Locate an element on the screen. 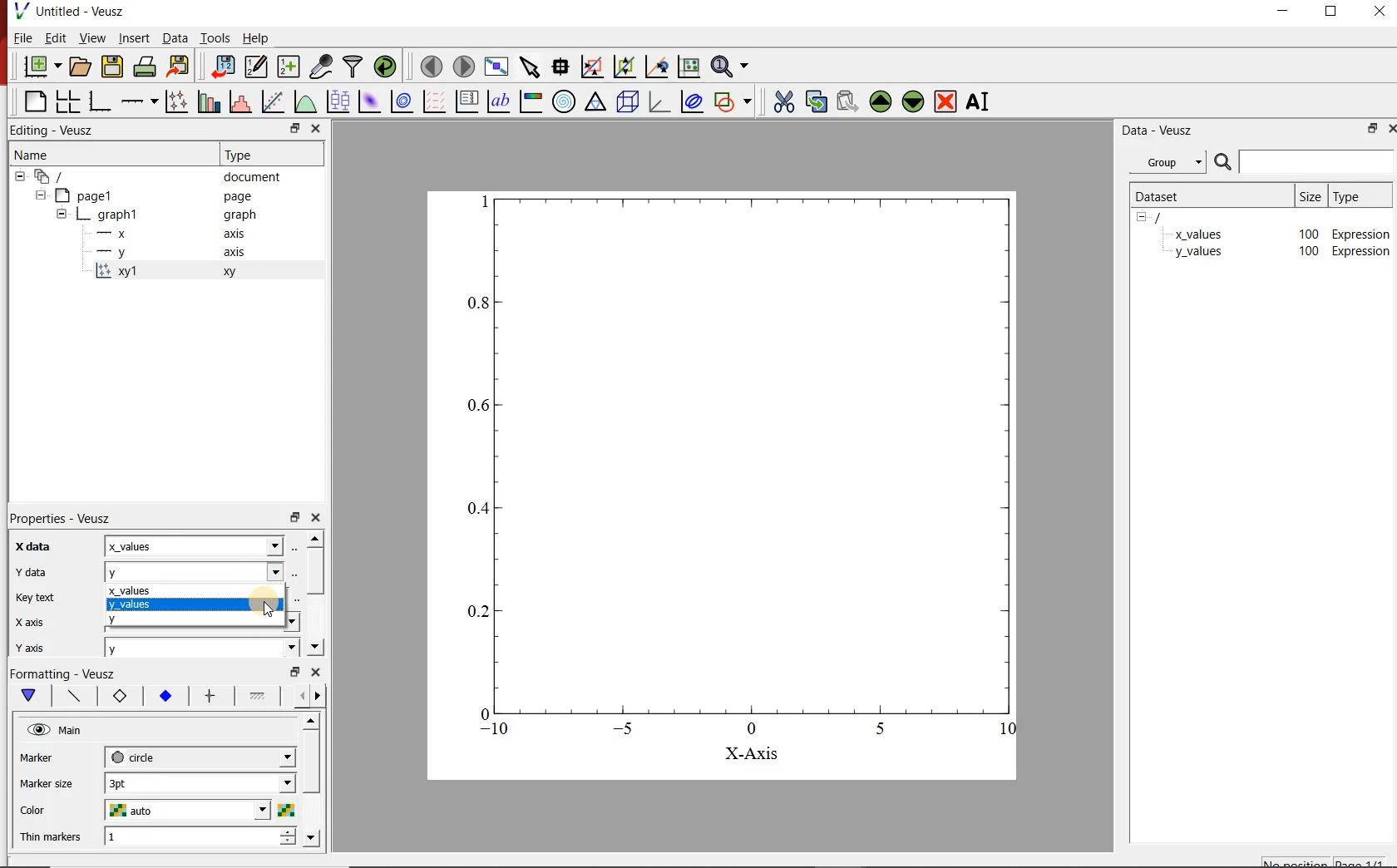 The height and width of the screenshot is (868, 1397). page is located at coordinates (236, 195).